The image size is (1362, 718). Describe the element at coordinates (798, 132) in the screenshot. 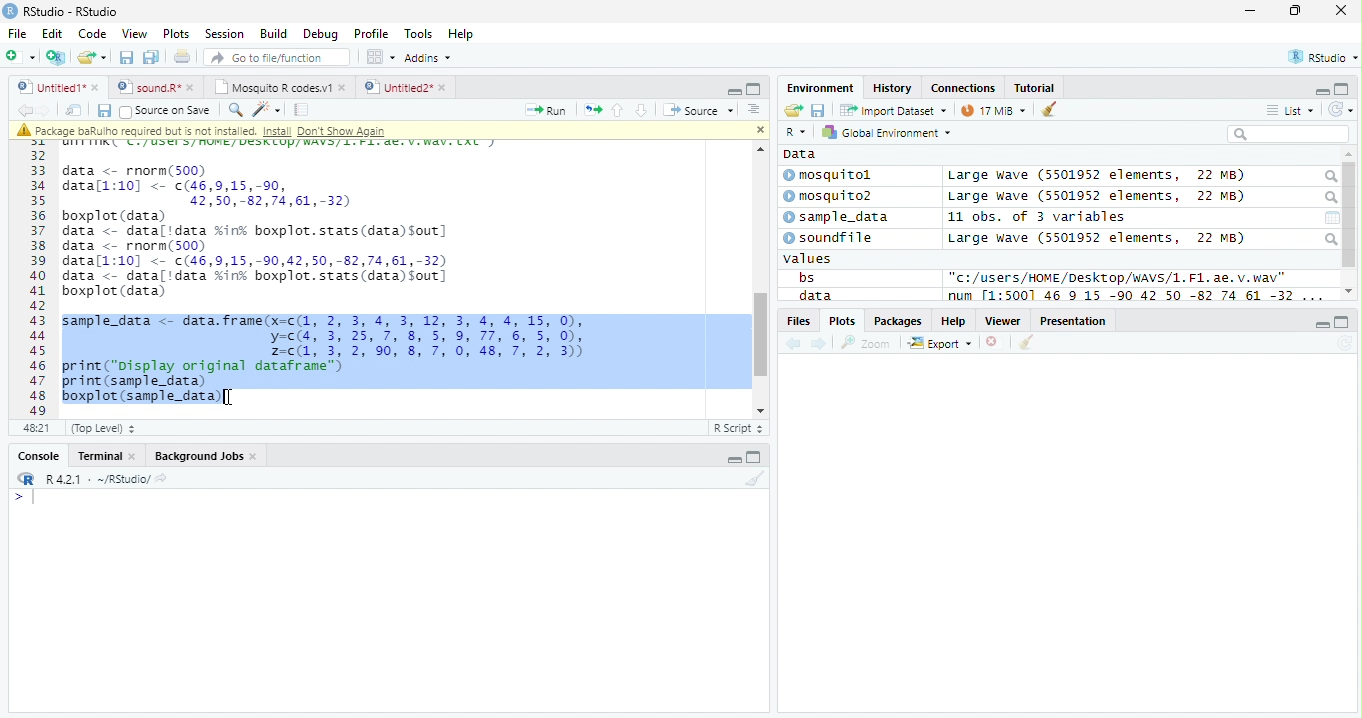

I see `R` at that location.